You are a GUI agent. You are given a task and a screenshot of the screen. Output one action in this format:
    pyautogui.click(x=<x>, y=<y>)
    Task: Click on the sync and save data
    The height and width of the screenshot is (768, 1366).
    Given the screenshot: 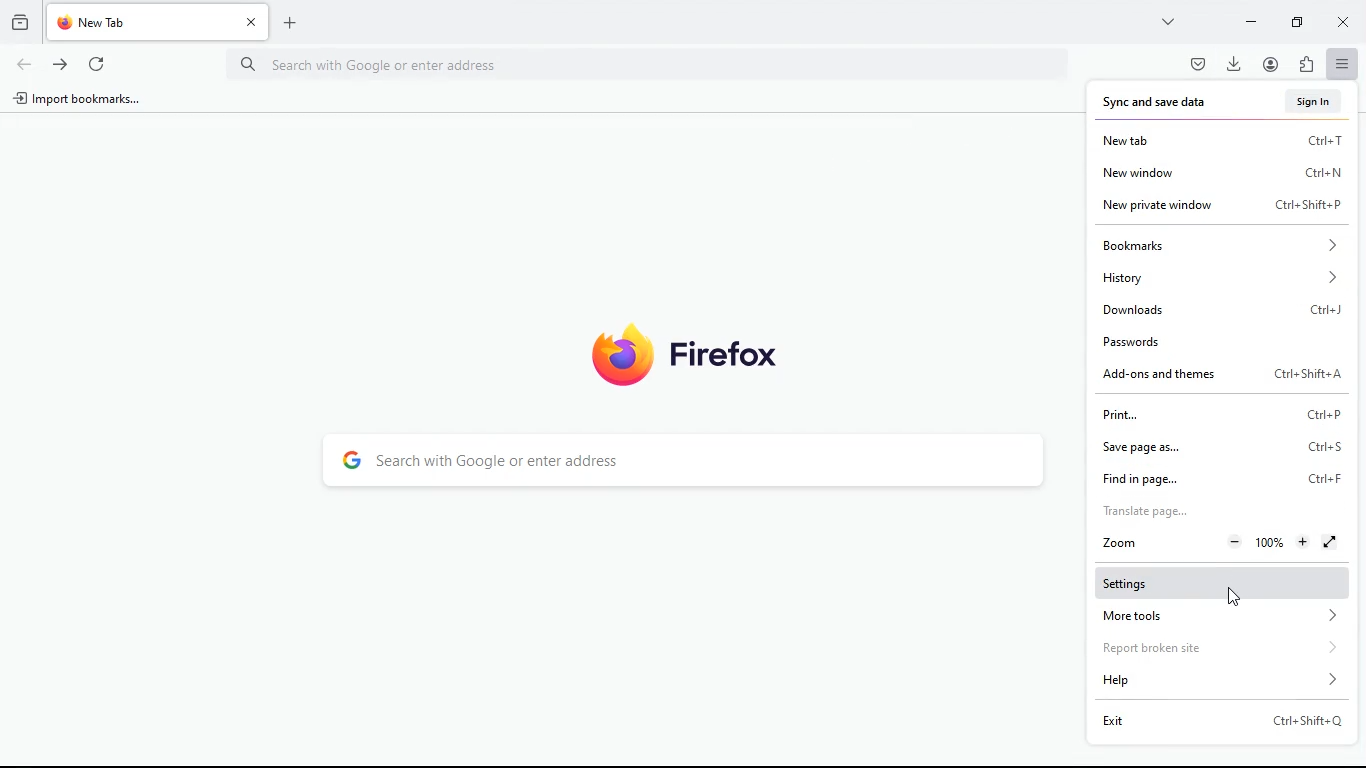 What is the action you would take?
    pyautogui.click(x=1167, y=102)
    